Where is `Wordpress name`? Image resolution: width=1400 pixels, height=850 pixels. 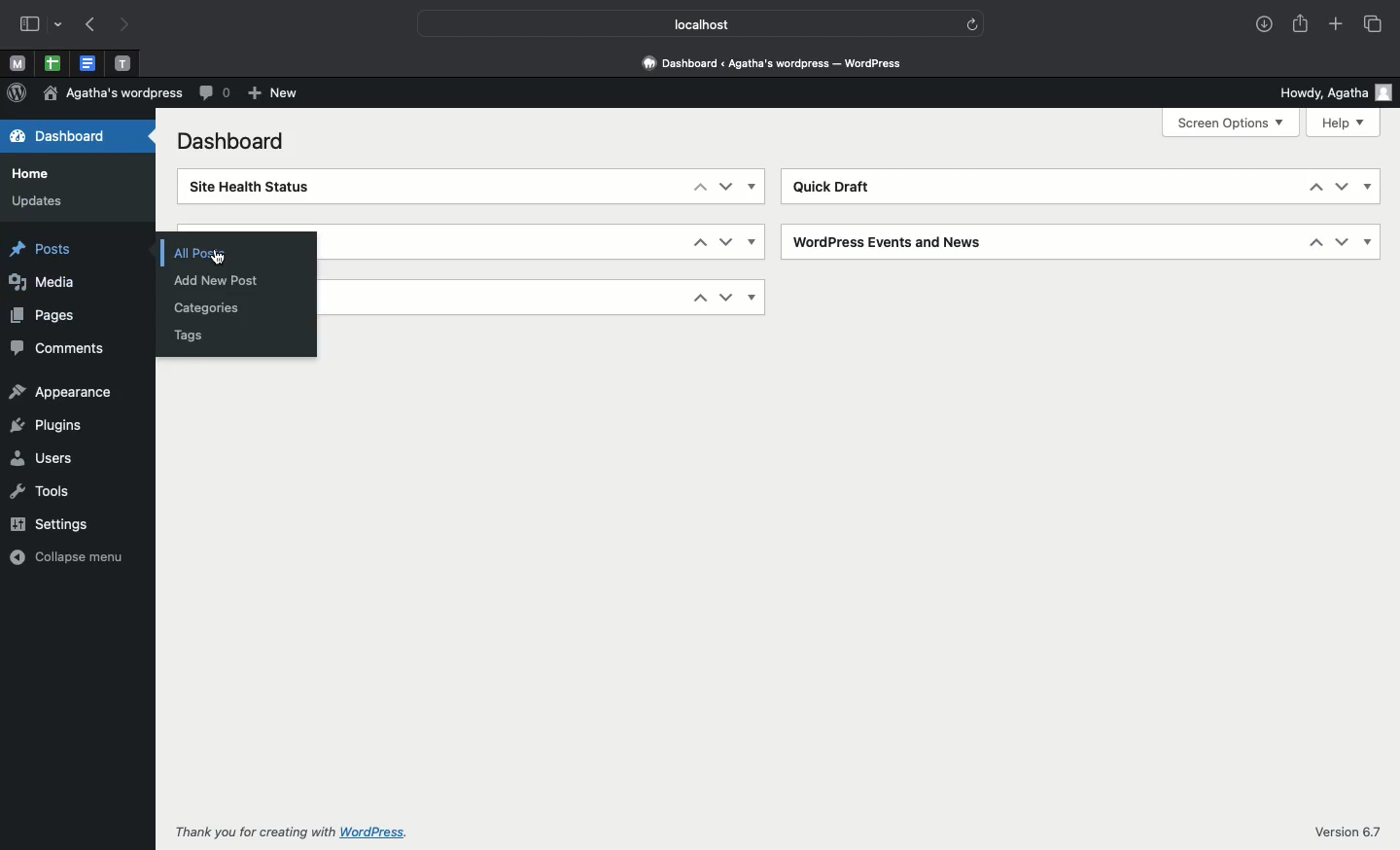
Wordpress name is located at coordinates (112, 93).